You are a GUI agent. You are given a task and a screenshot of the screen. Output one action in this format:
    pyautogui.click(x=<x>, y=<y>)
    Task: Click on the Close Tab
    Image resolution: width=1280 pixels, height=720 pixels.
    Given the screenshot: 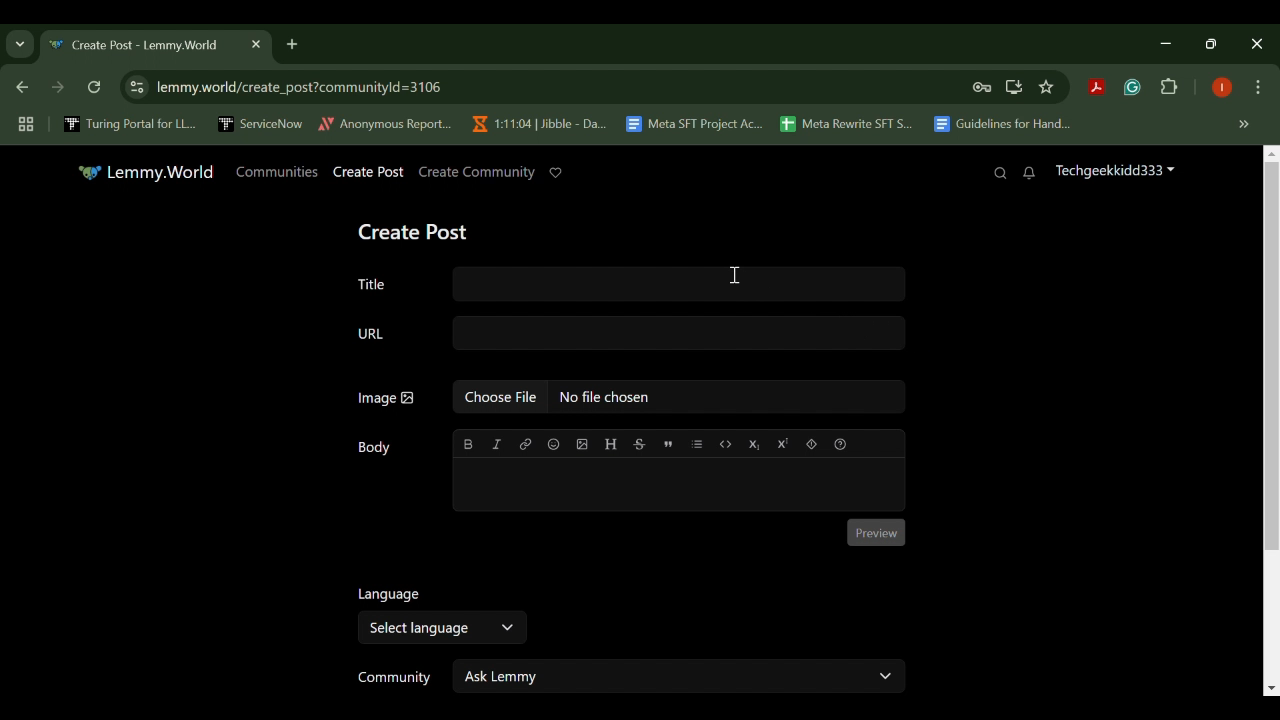 What is the action you would take?
    pyautogui.click(x=254, y=44)
    